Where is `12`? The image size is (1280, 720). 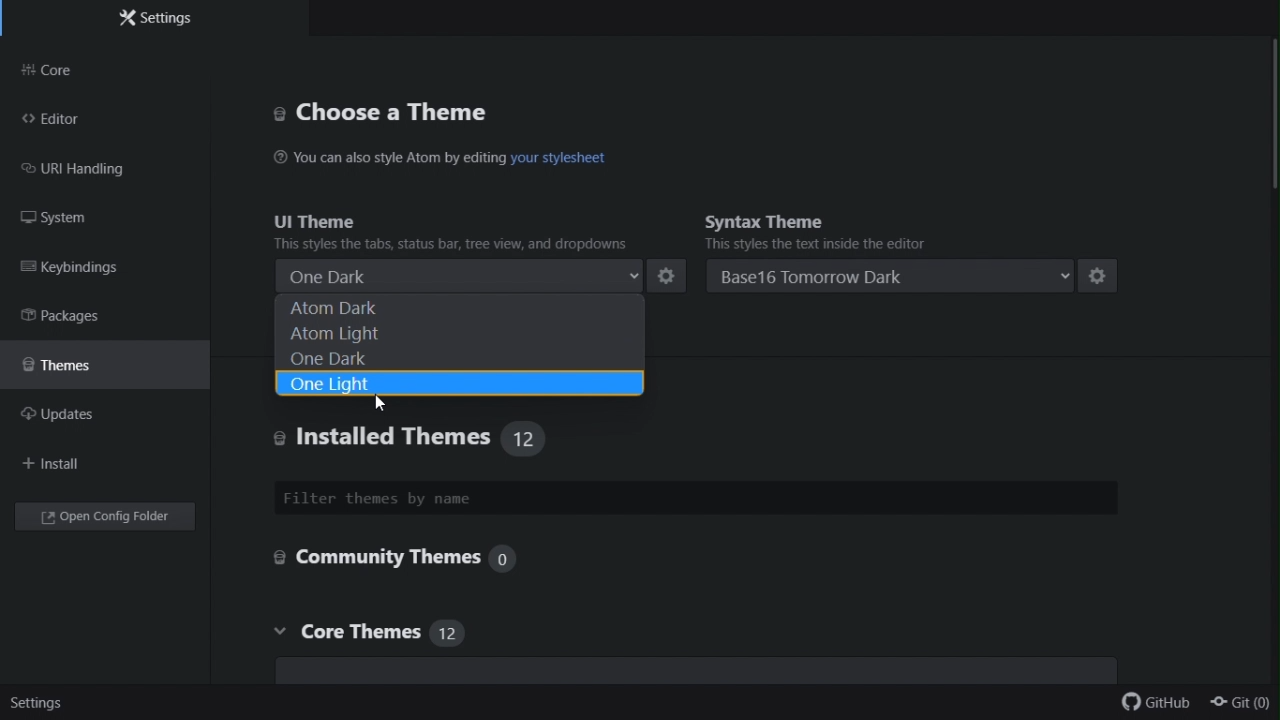 12 is located at coordinates (525, 437).